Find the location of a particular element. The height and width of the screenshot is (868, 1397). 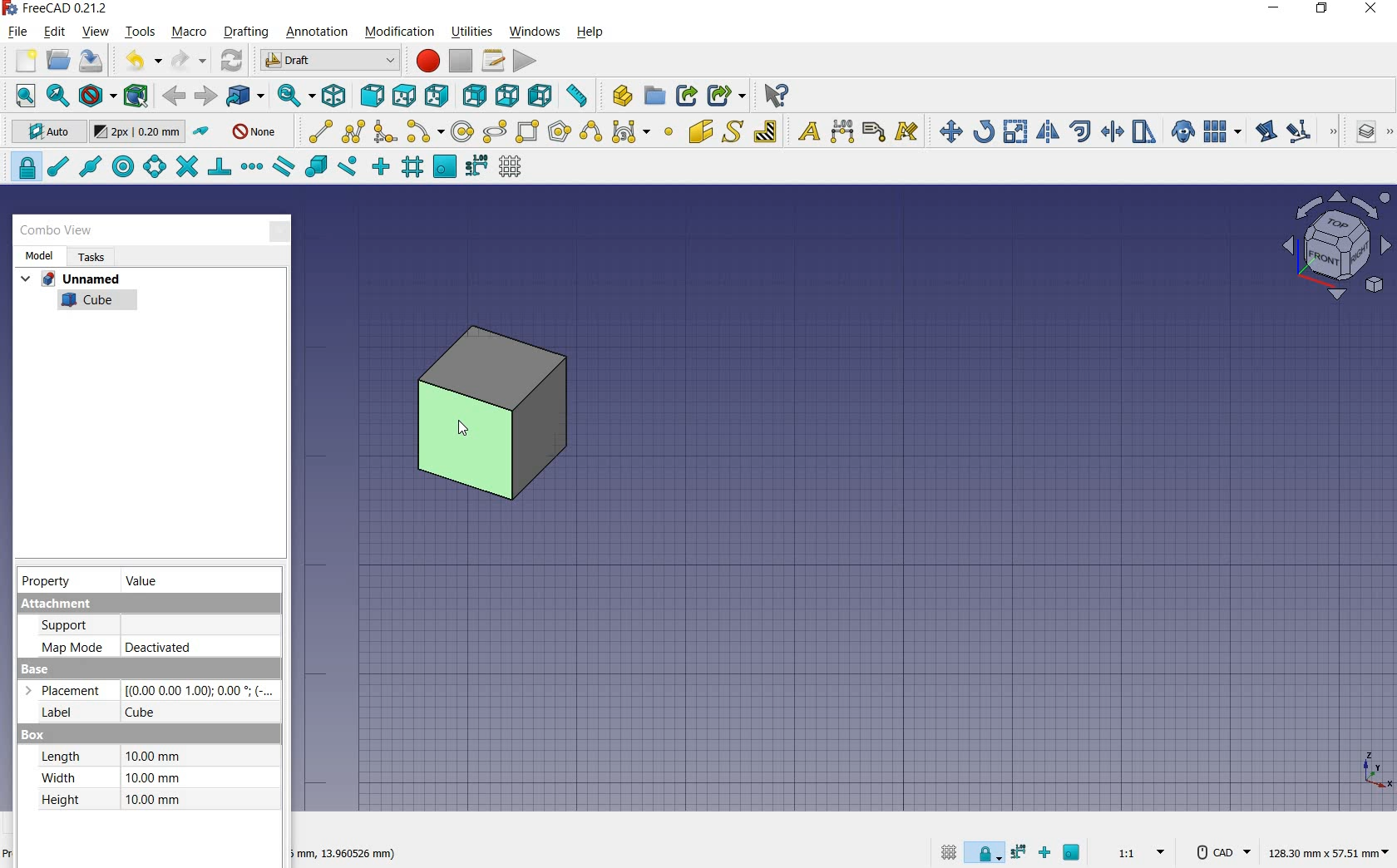

macro recording is located at coordinates (427, 62).